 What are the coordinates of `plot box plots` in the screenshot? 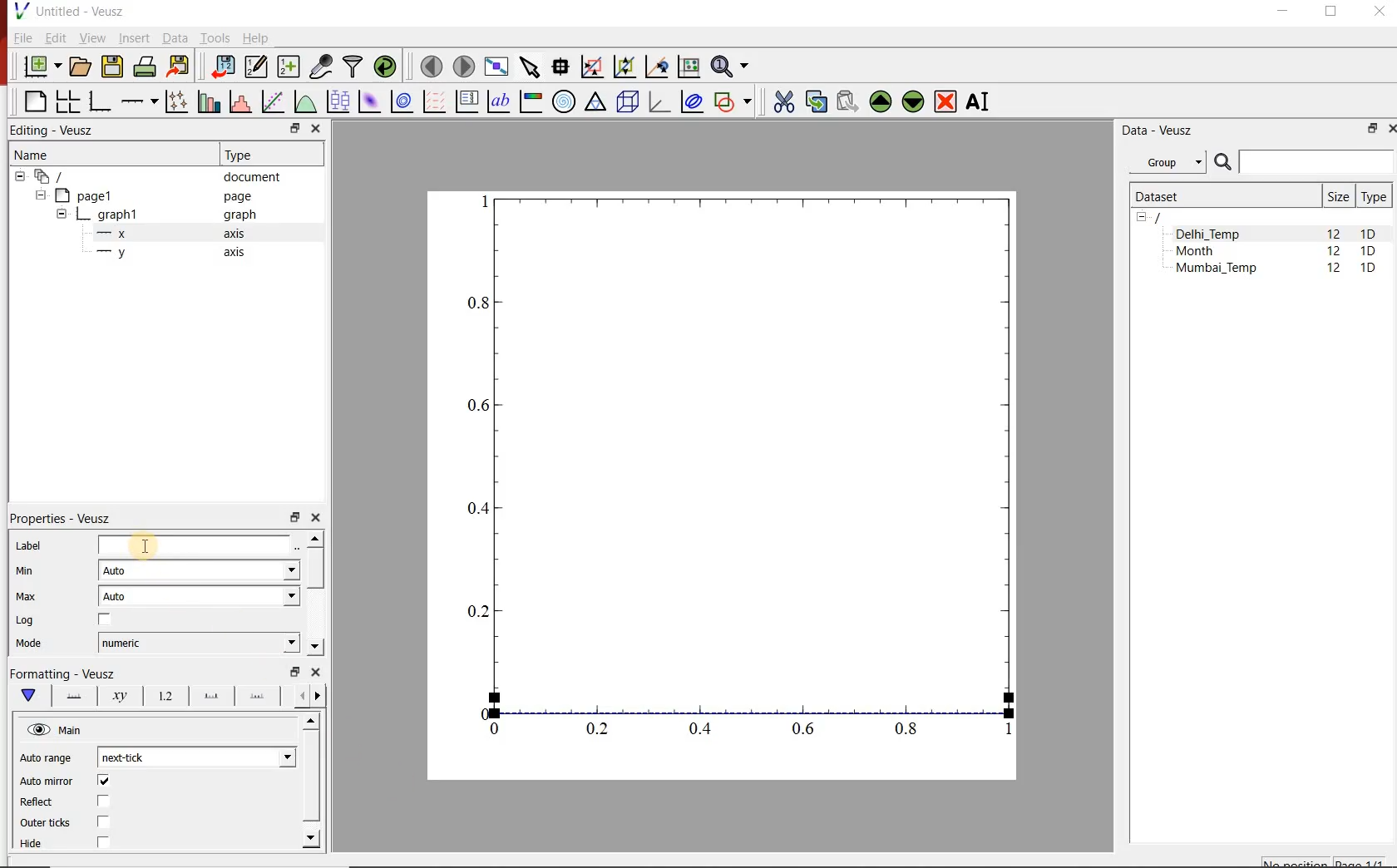 It's located at (338, 101).